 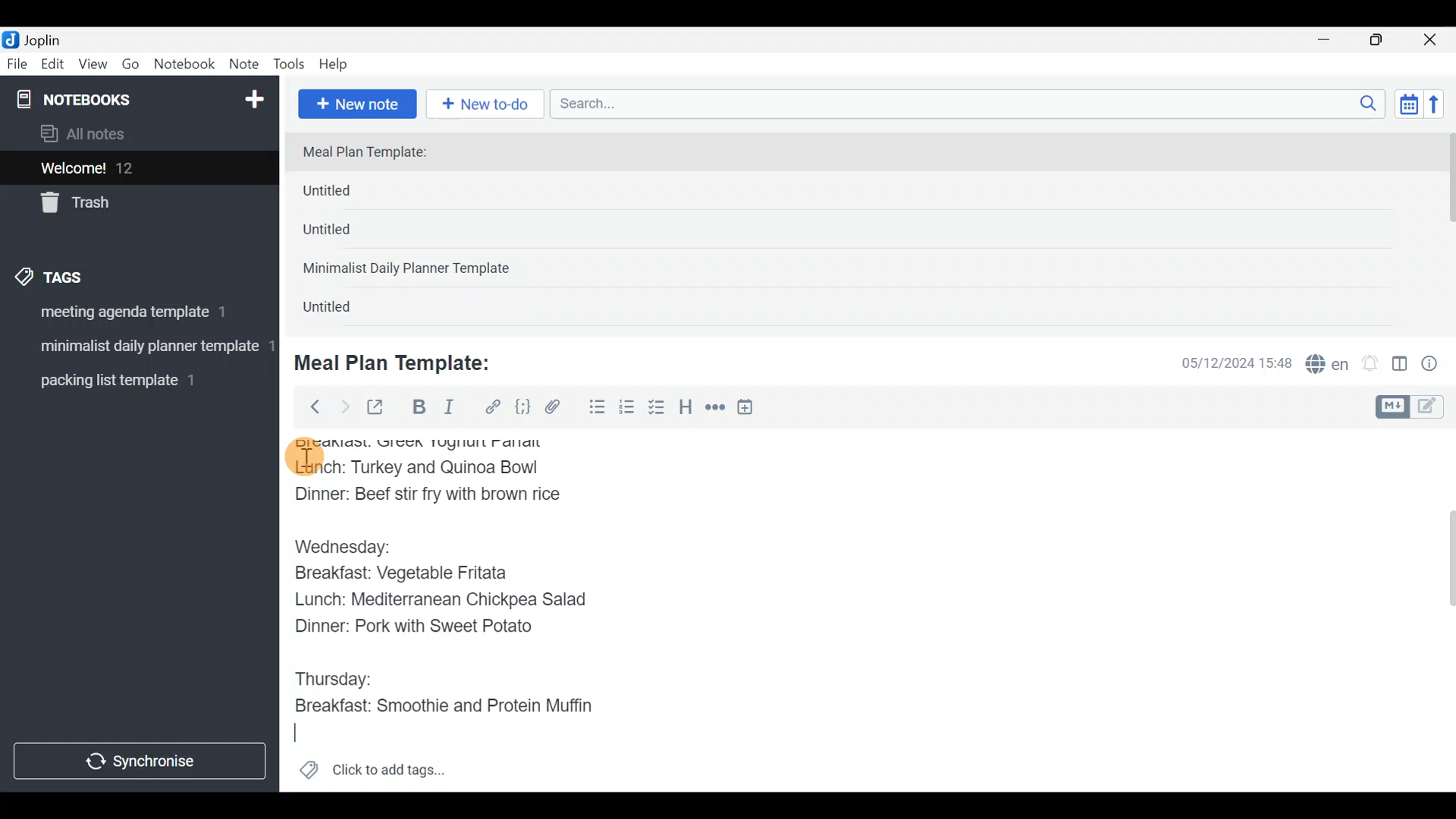 I want to click on Breakfast: Vegetable Fritata, so click(x=417, y=576).